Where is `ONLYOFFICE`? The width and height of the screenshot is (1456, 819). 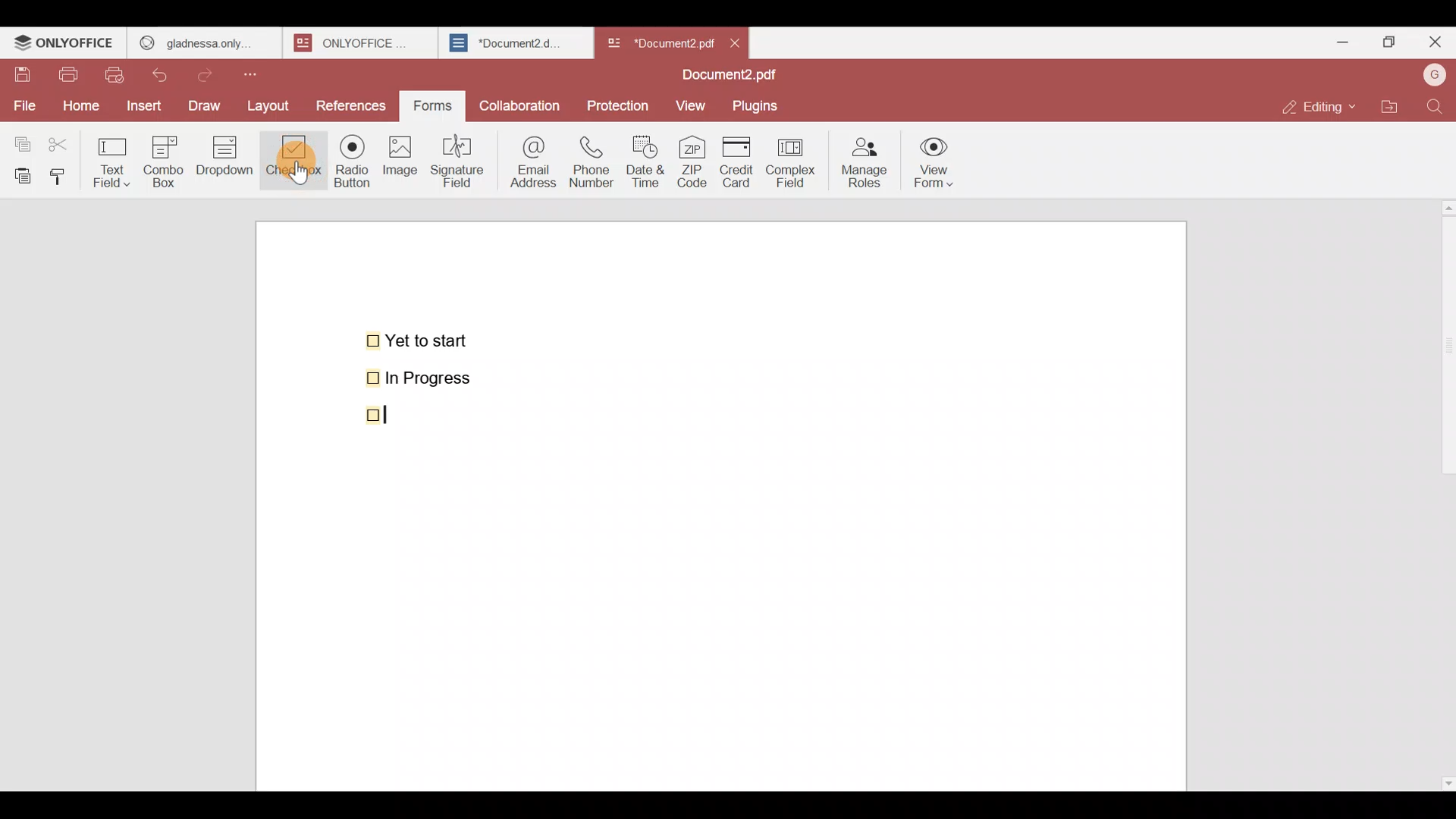 ONLYOFFICE is located at coordinates (64, 45).